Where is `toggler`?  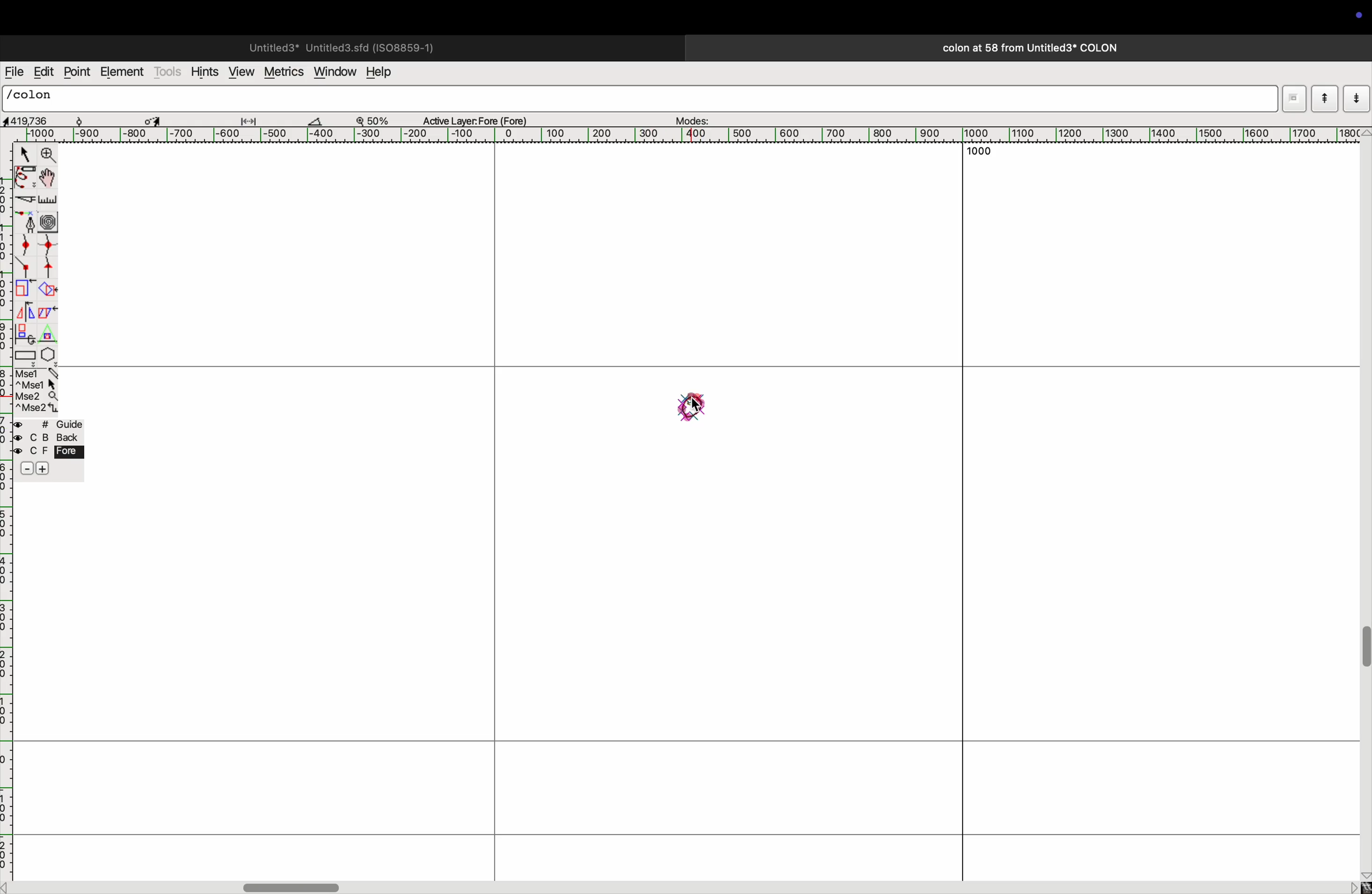
toggler is located at coordinates (291, 887).